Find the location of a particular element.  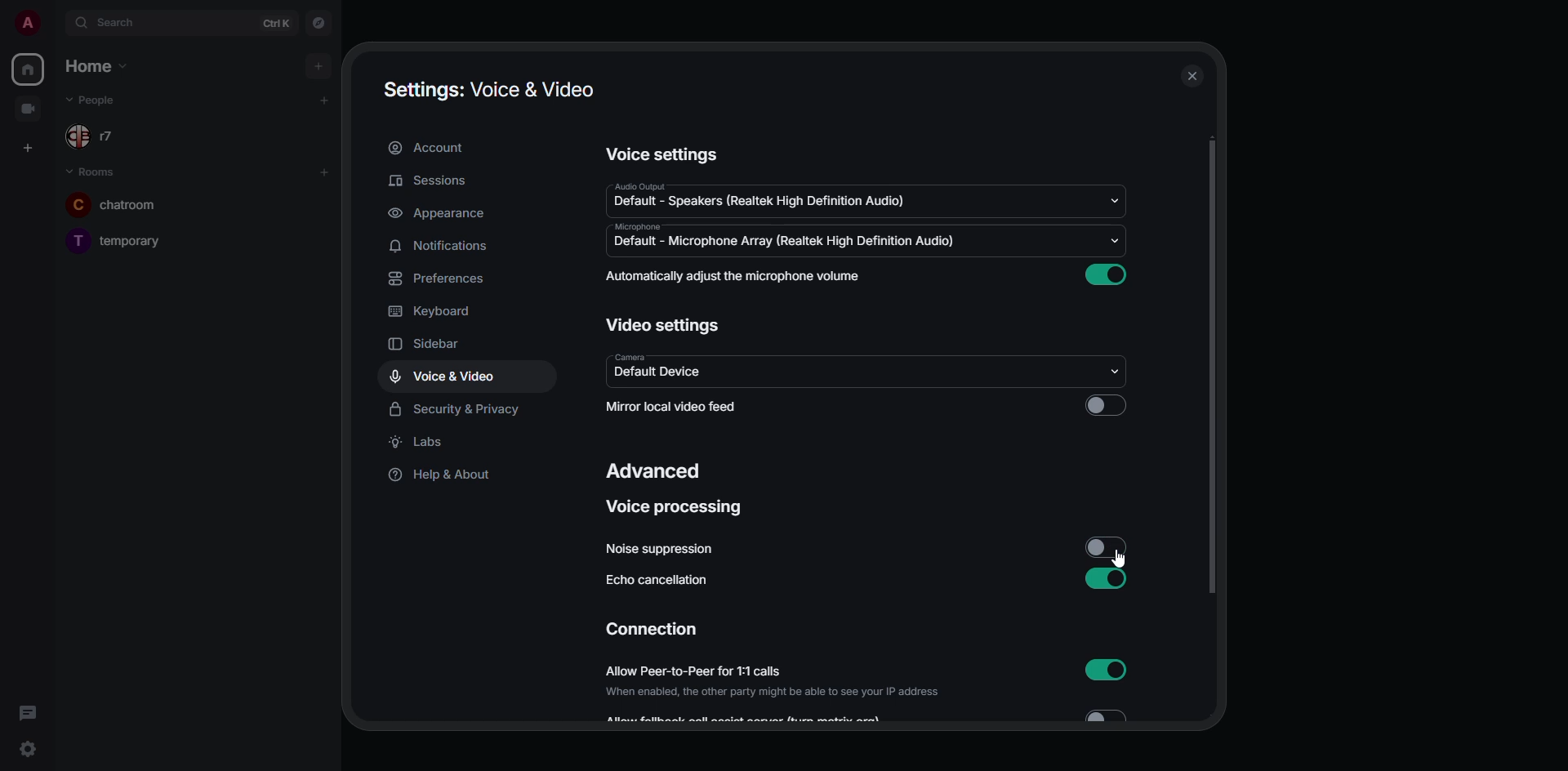

connection is located at coordinates (652, 629).